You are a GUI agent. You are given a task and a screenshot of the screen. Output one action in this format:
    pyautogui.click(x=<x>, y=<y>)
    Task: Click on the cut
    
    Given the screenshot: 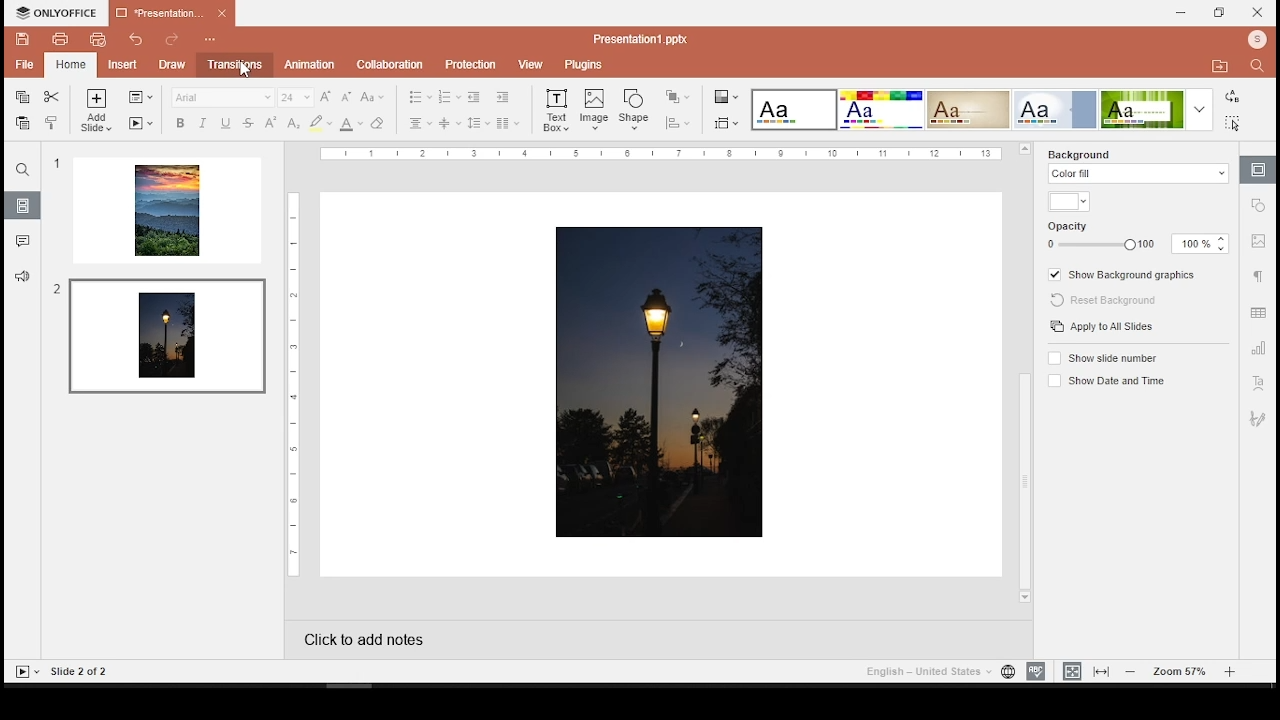 What is the action you would take?
    pyautogui.click(x=52, y=97)
    